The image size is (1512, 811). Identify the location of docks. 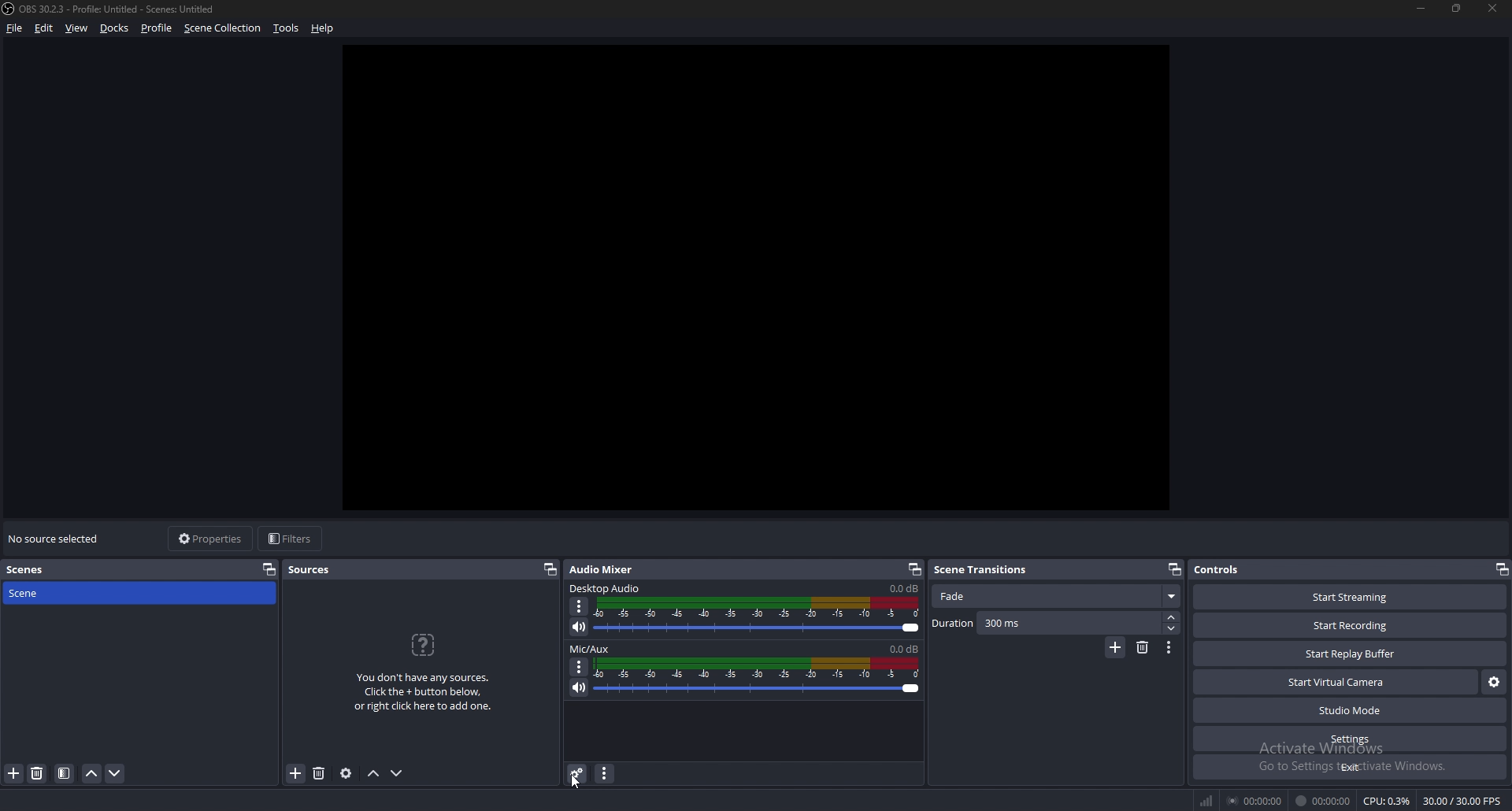
(115, 28).